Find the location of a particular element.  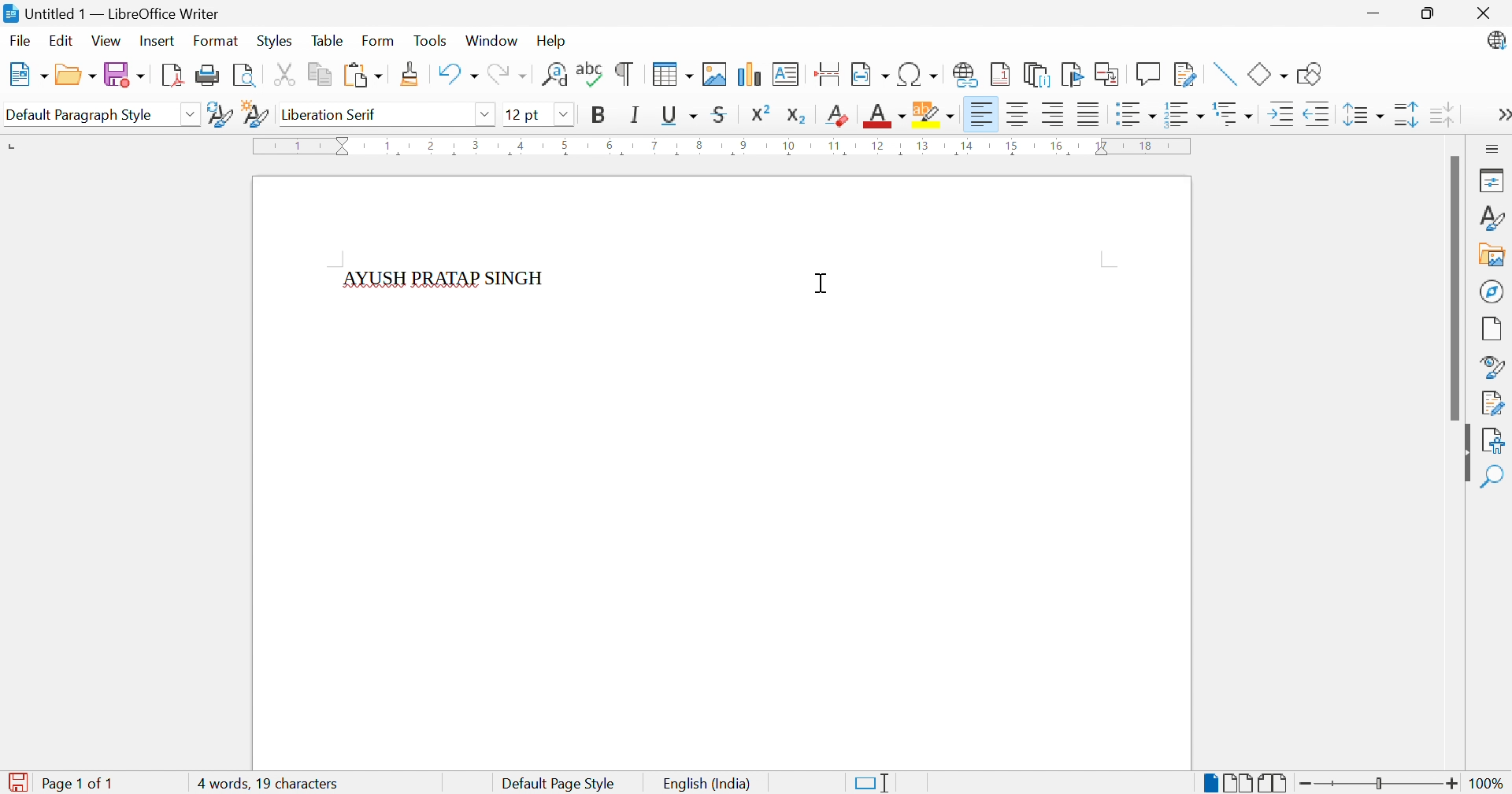

Styles is located at coordinates (273, 42).